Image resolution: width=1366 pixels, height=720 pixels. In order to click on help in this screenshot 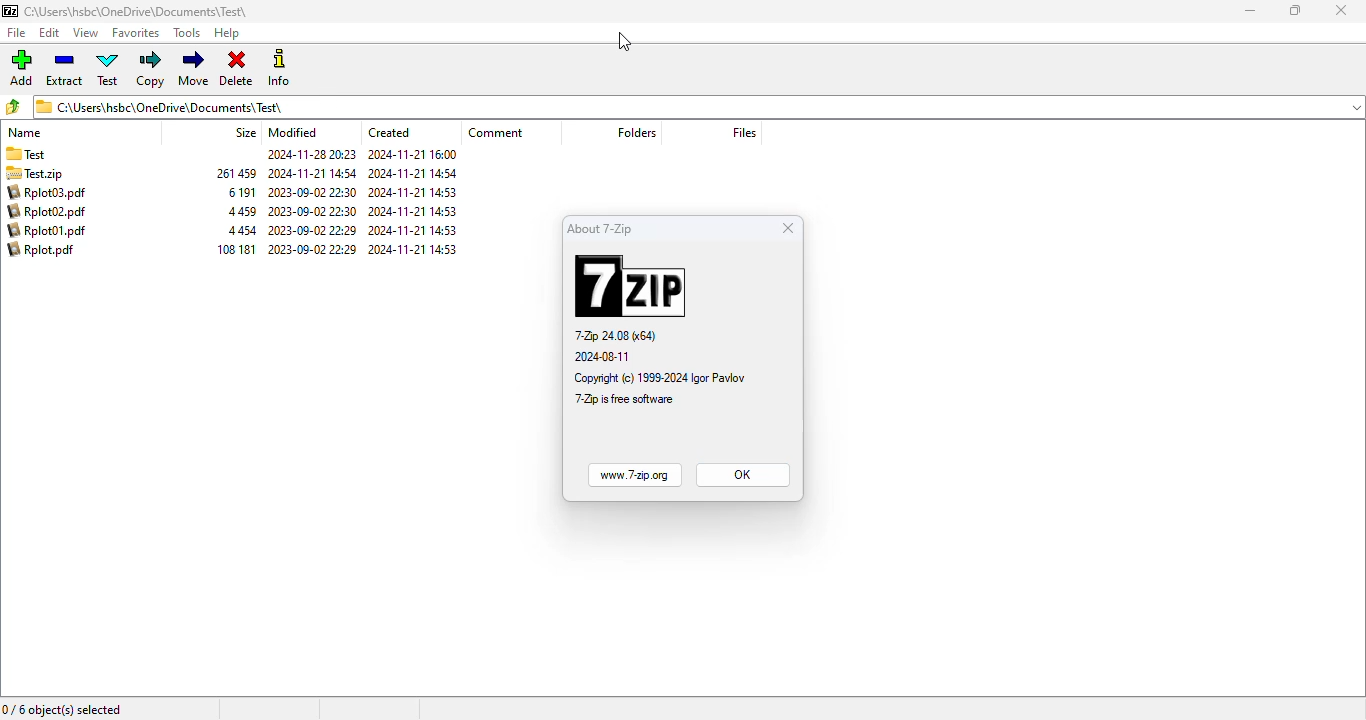, I will do `click(227, 33)`.